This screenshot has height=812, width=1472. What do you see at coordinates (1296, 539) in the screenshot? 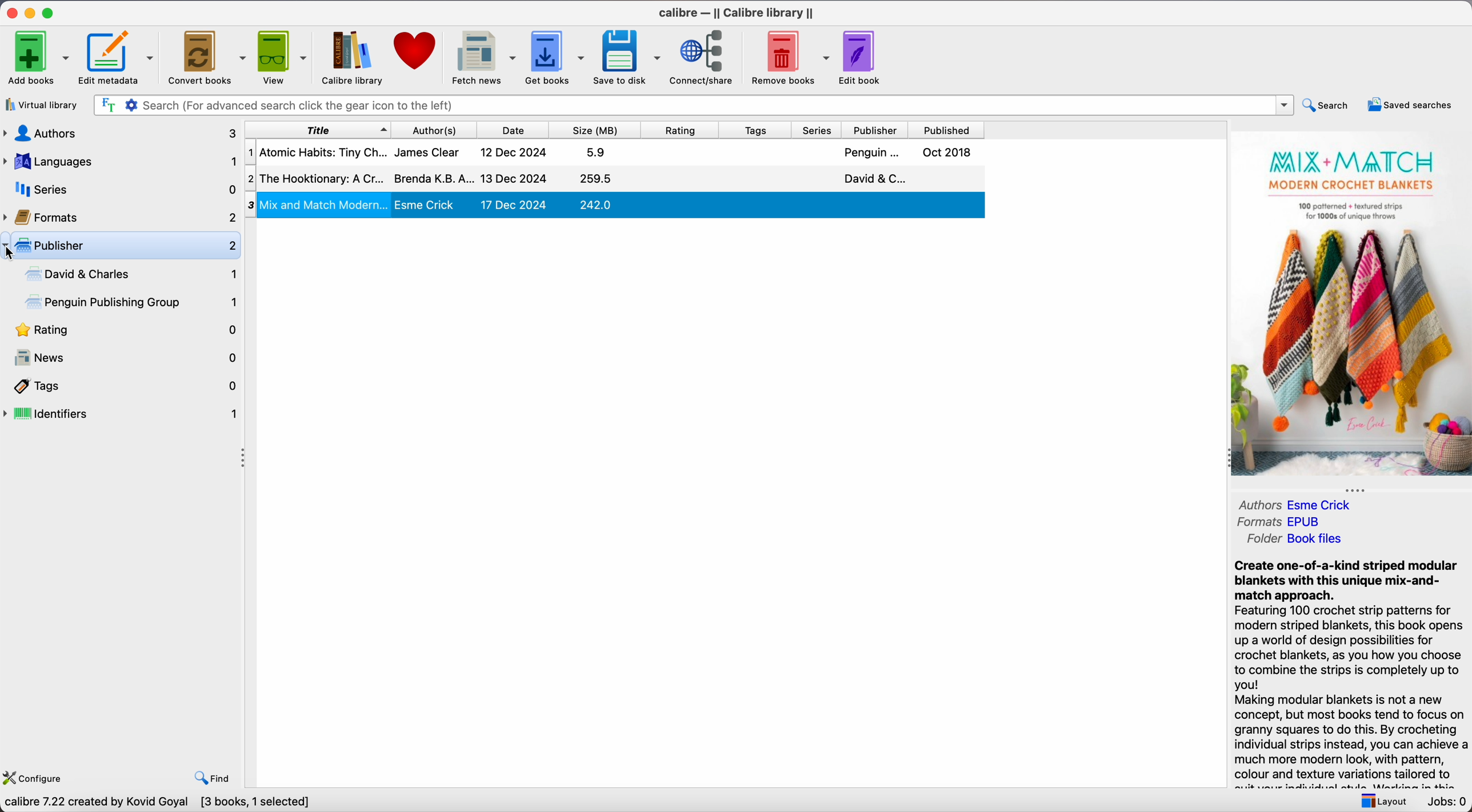
I see `folder Book files` at bounding box center [1296, 539].